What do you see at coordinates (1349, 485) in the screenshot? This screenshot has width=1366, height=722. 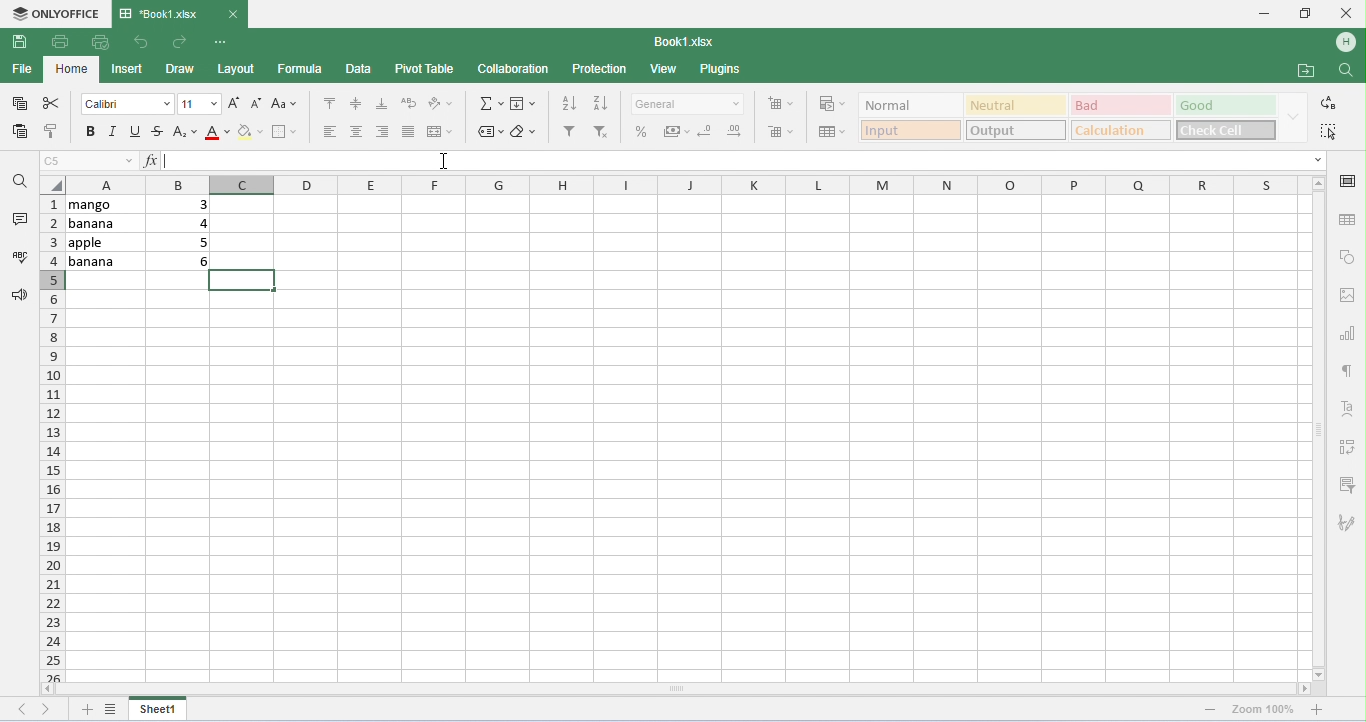 I see `slicer` at bounding box center [1349, 485].